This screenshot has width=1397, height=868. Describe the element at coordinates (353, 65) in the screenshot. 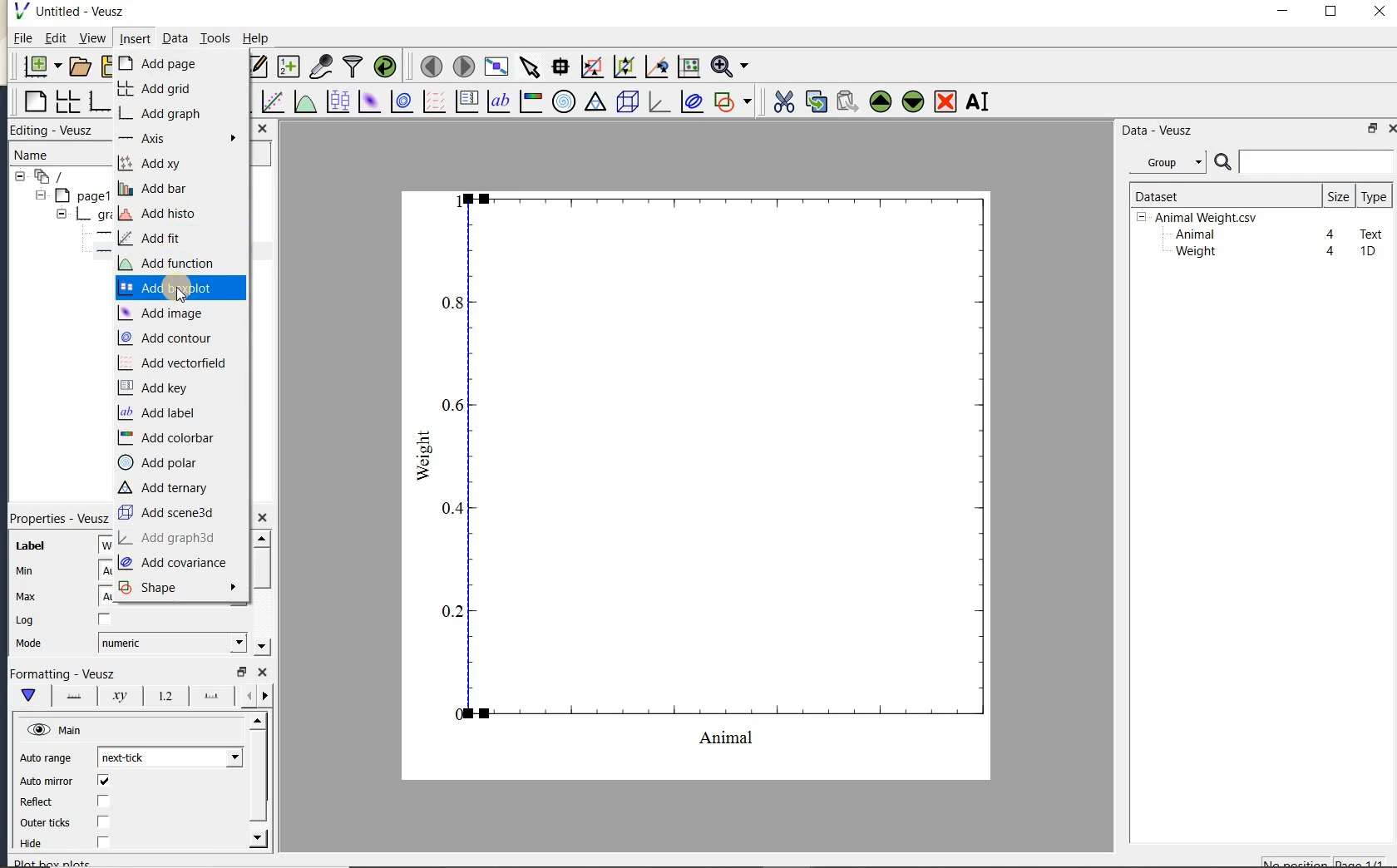

I see `filter data` at that location.